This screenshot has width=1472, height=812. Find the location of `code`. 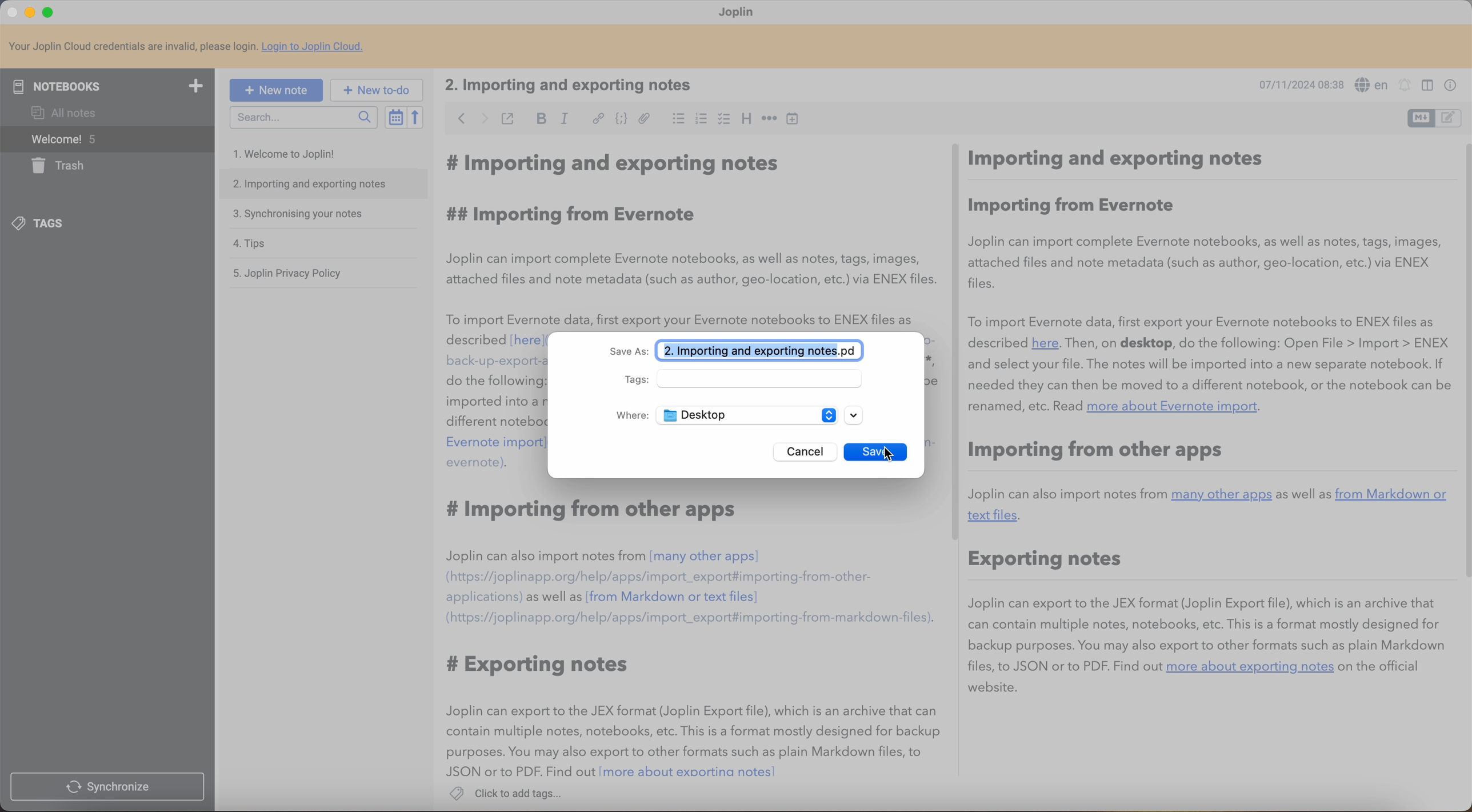

code is located at coordinates (620, 120).